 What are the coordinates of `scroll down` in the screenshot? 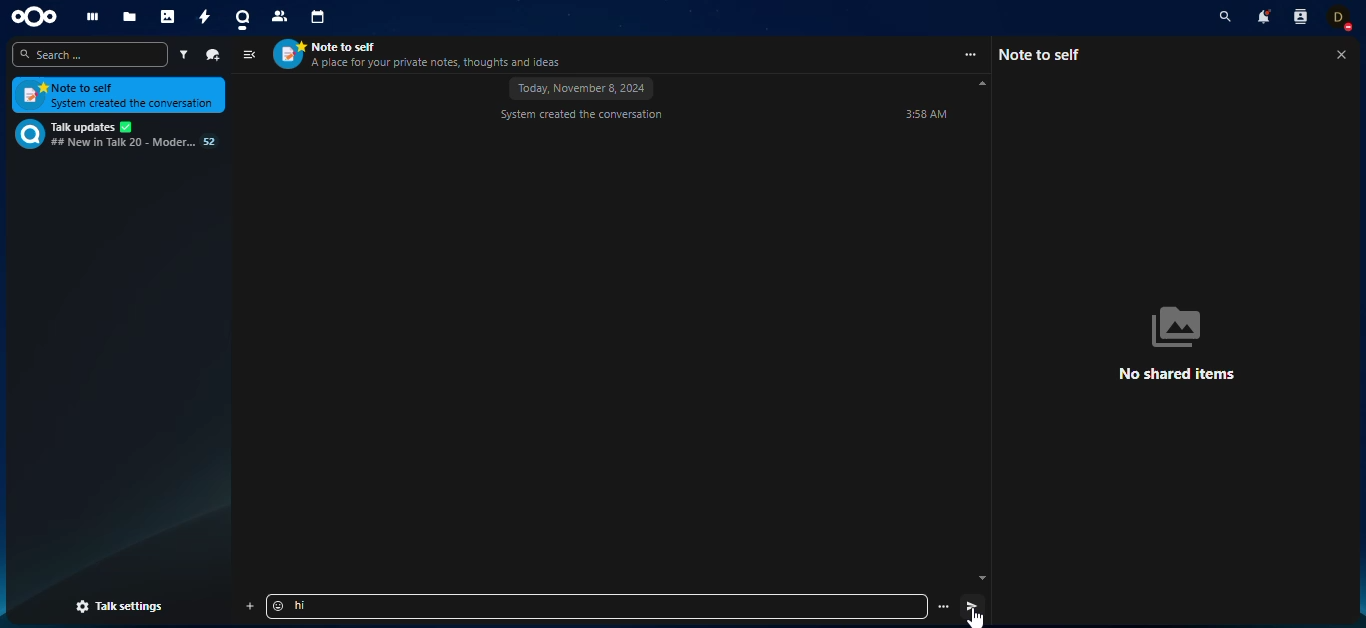 It's located at (982, 578).